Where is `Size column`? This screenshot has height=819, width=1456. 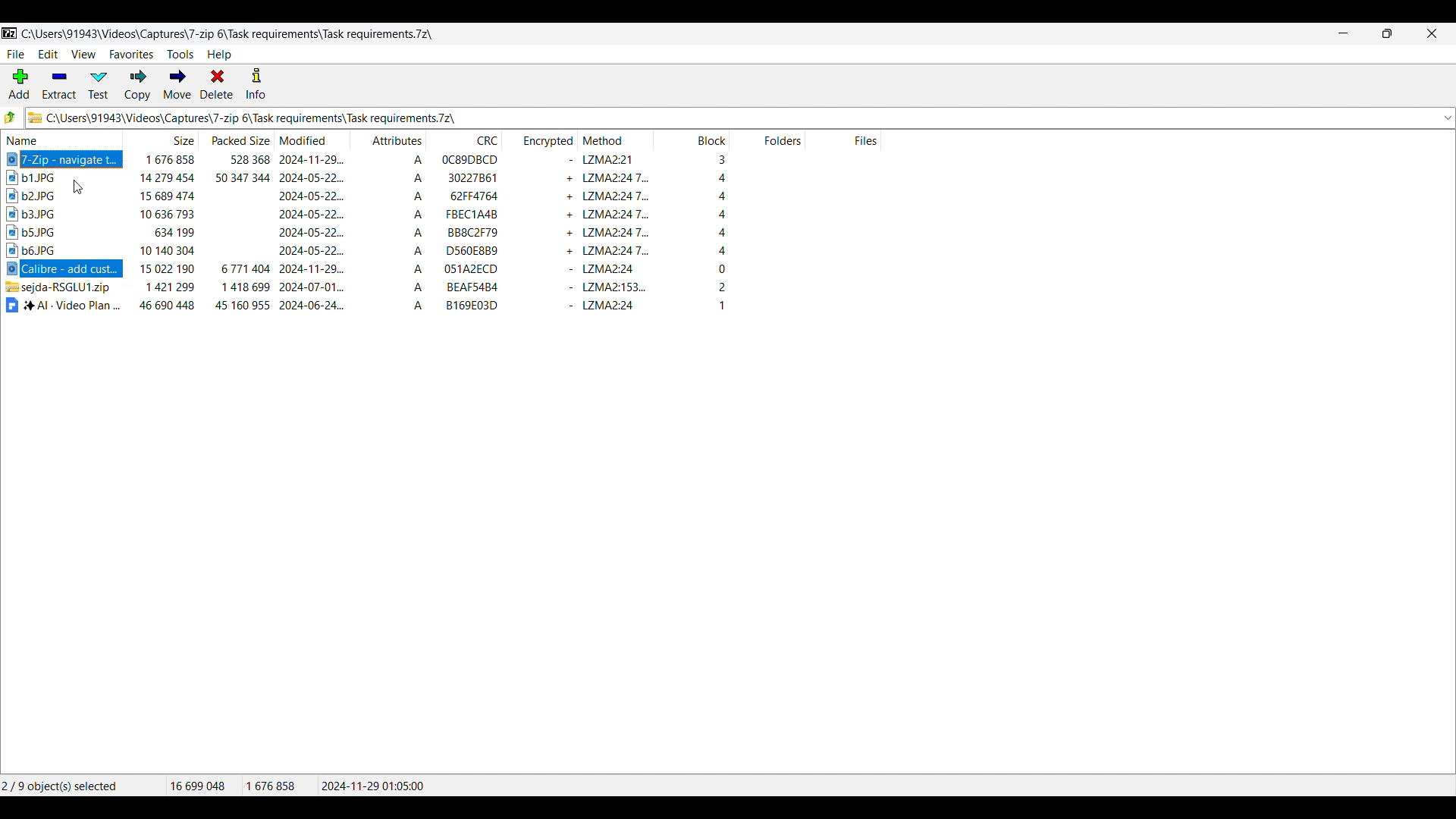 Size column is located at coordinates (162, 139).